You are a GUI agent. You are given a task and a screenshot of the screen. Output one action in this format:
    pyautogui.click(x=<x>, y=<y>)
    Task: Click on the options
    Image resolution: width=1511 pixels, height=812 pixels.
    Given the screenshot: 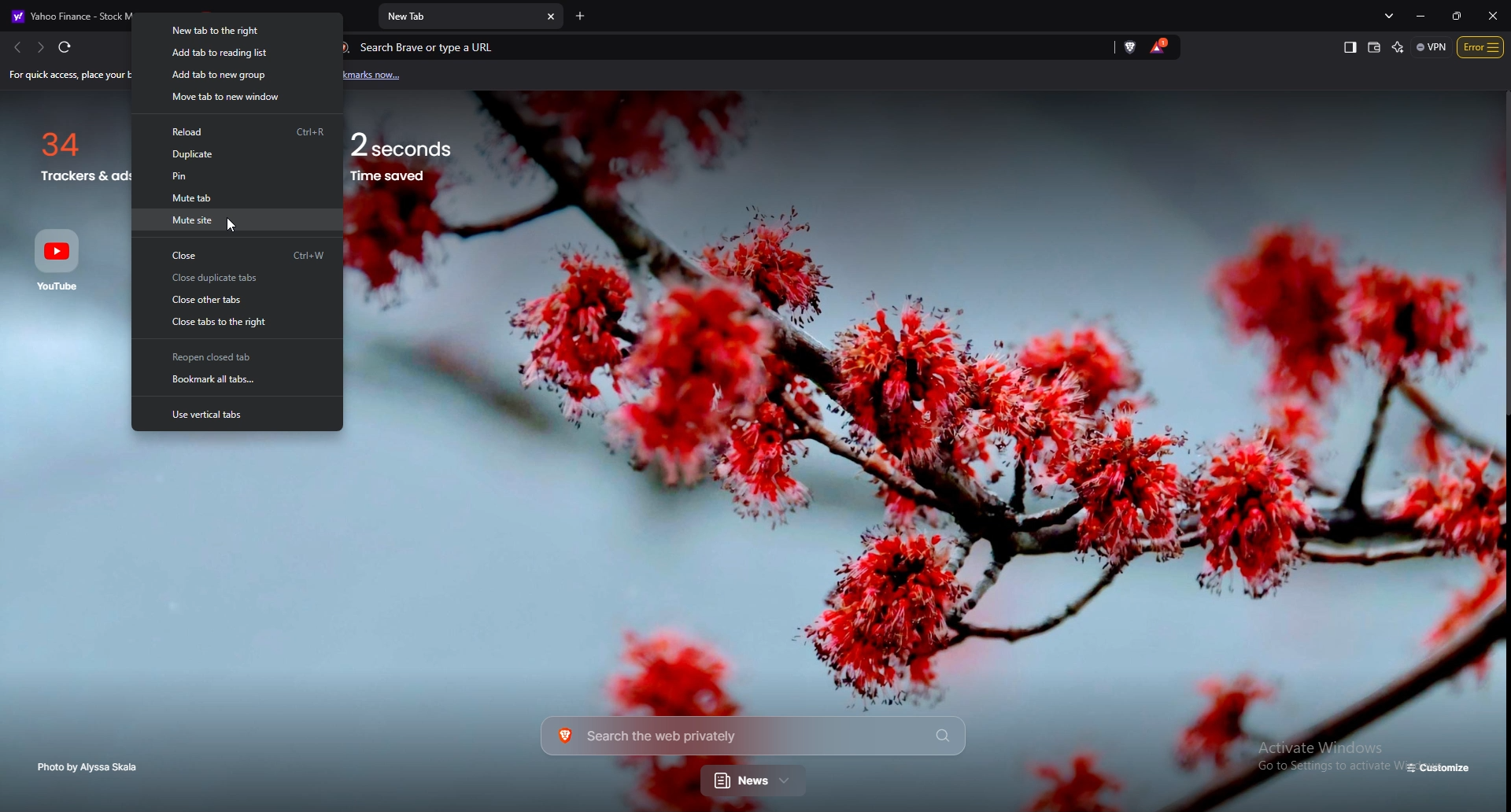 What is the action you would take?
    pyautogui.click(x=1481, y=46)
    